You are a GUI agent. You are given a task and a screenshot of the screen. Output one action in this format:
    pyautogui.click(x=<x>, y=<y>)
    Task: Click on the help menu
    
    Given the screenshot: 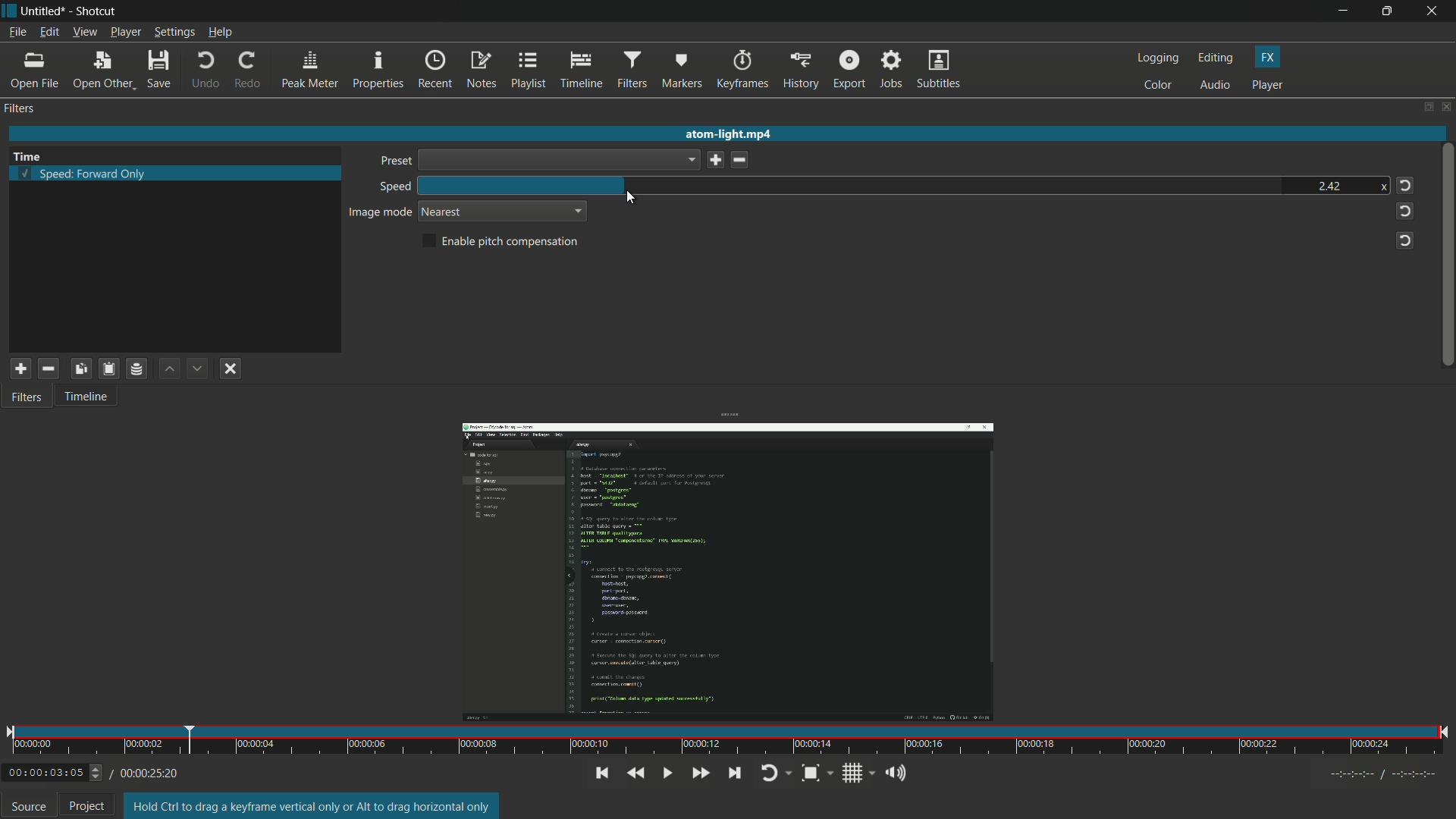 What is the action you would take?
    pyautogui.click(x=221, y=33)
    